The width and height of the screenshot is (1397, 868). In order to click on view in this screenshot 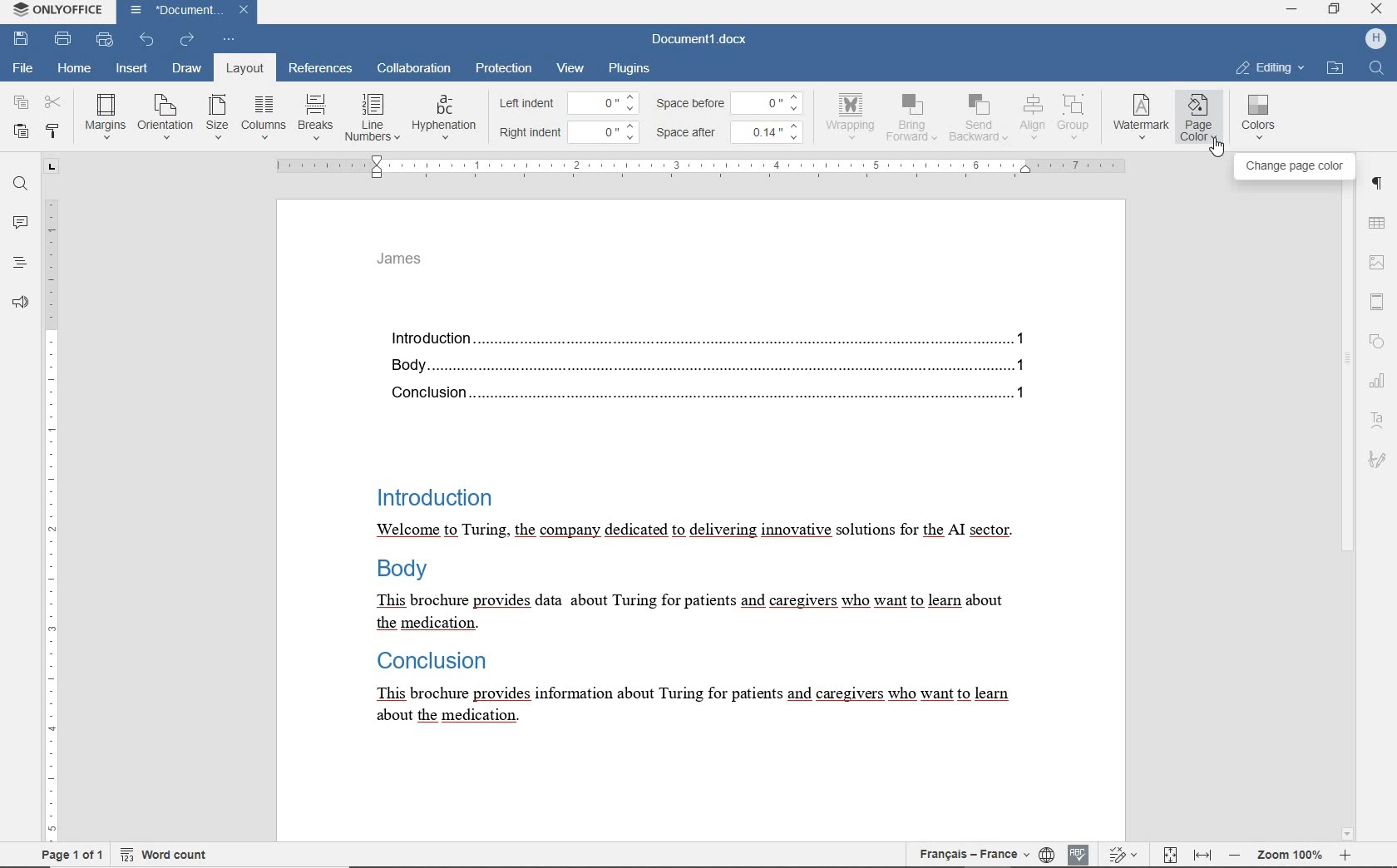, I will do `click(573, 68)`.